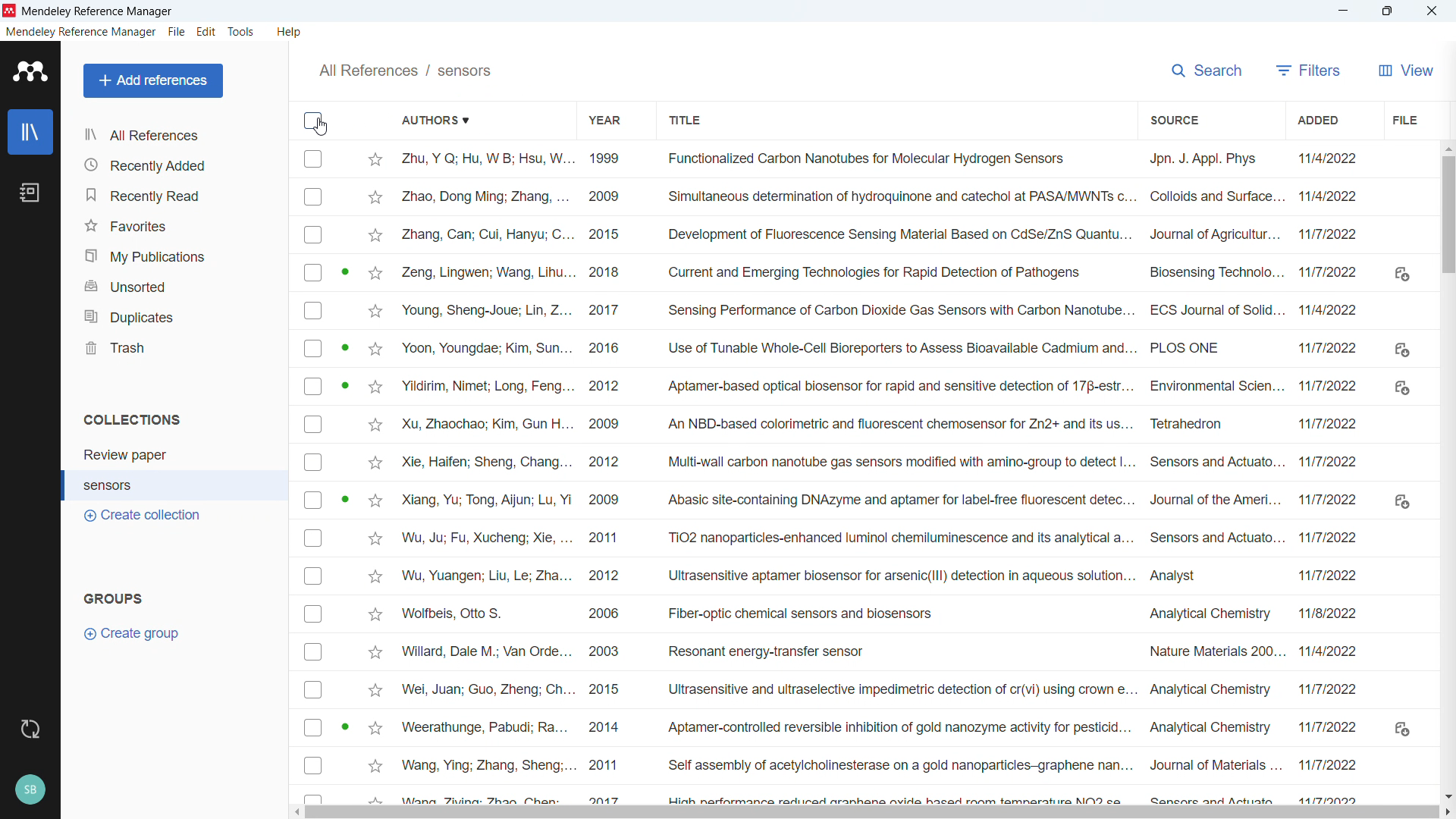 The height and width of the screenshot is (819, 1456). Describe the element at coordinates (290, 33) in the screenshot. I see `help` at that location.